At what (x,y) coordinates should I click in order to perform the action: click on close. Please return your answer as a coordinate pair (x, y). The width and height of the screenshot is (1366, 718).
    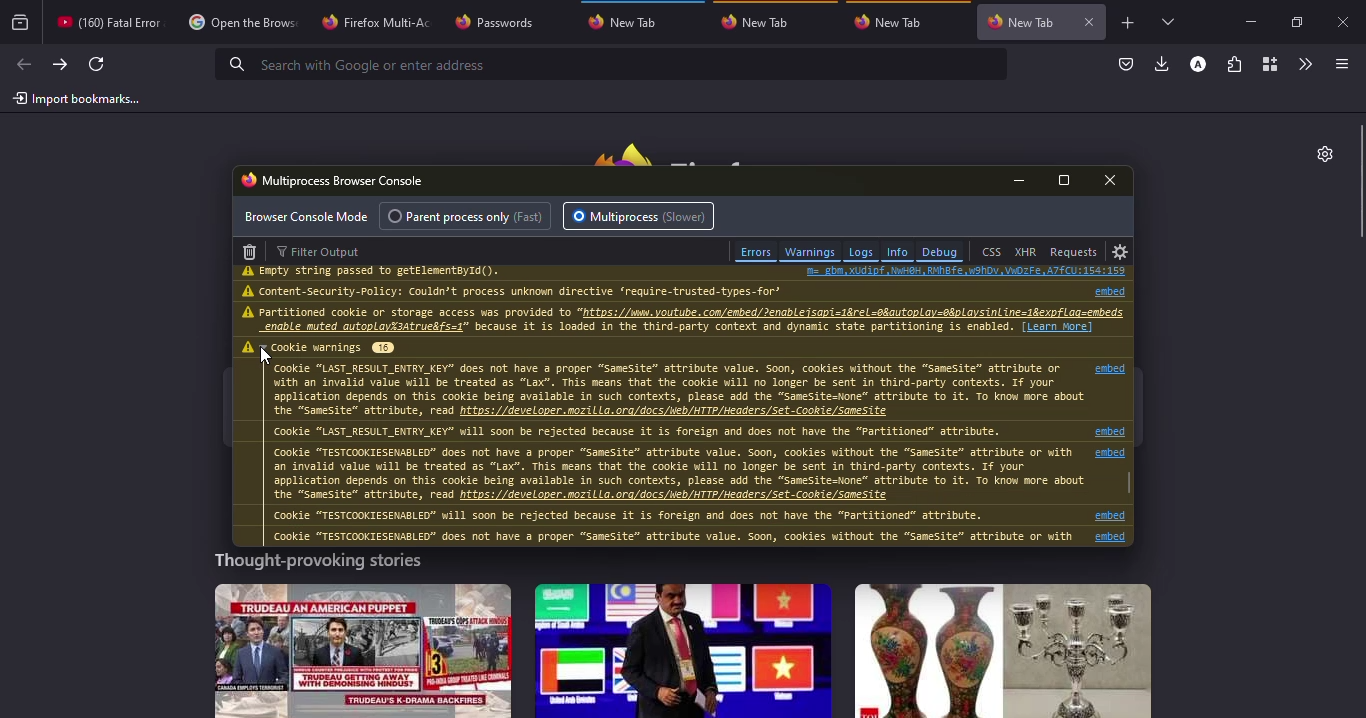
    Looking at the image, I should click on (1091, 22).